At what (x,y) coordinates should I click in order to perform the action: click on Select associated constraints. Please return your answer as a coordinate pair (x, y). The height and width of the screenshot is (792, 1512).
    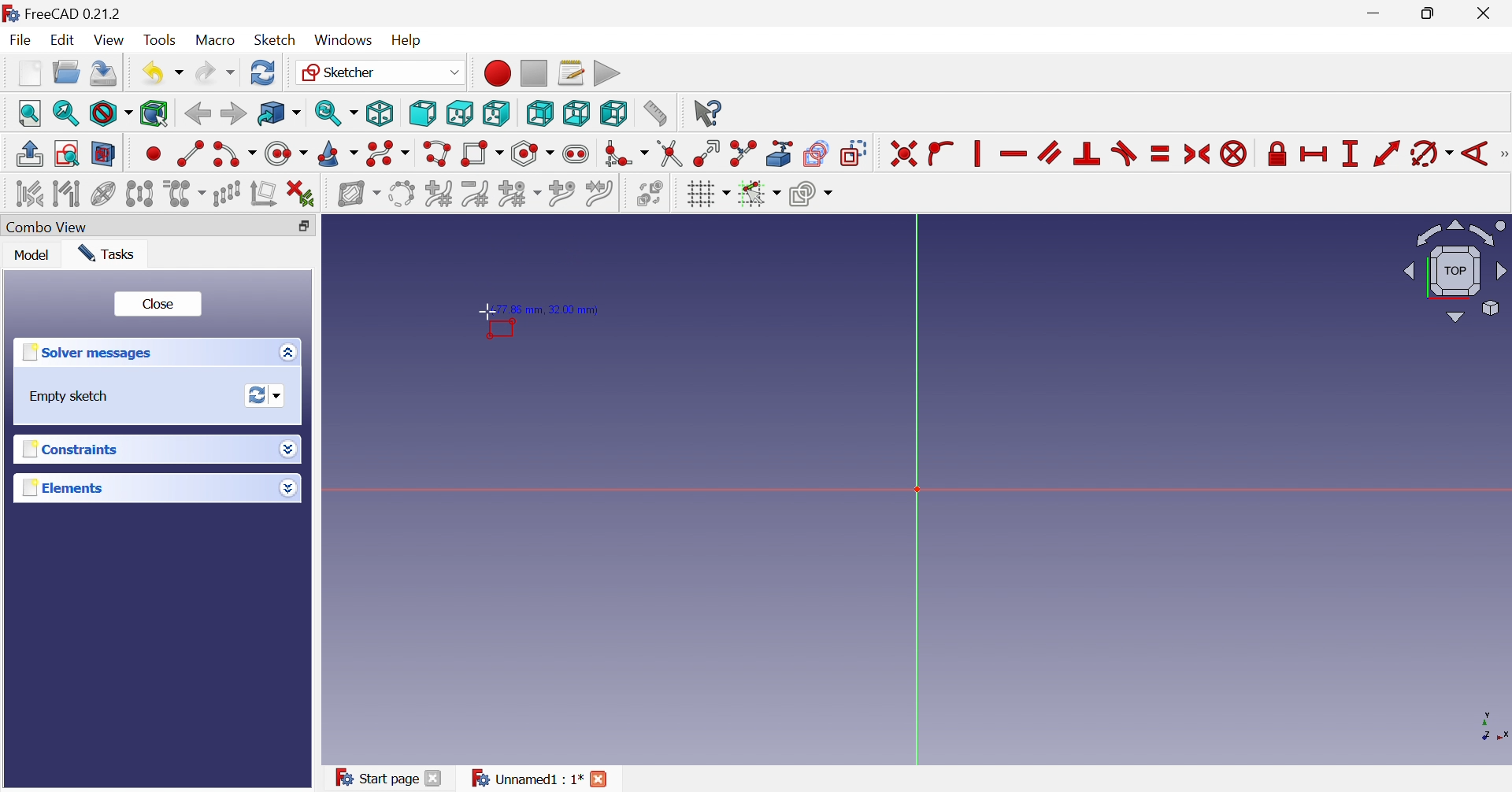
    Looking at the image, I should click on (28, 194).